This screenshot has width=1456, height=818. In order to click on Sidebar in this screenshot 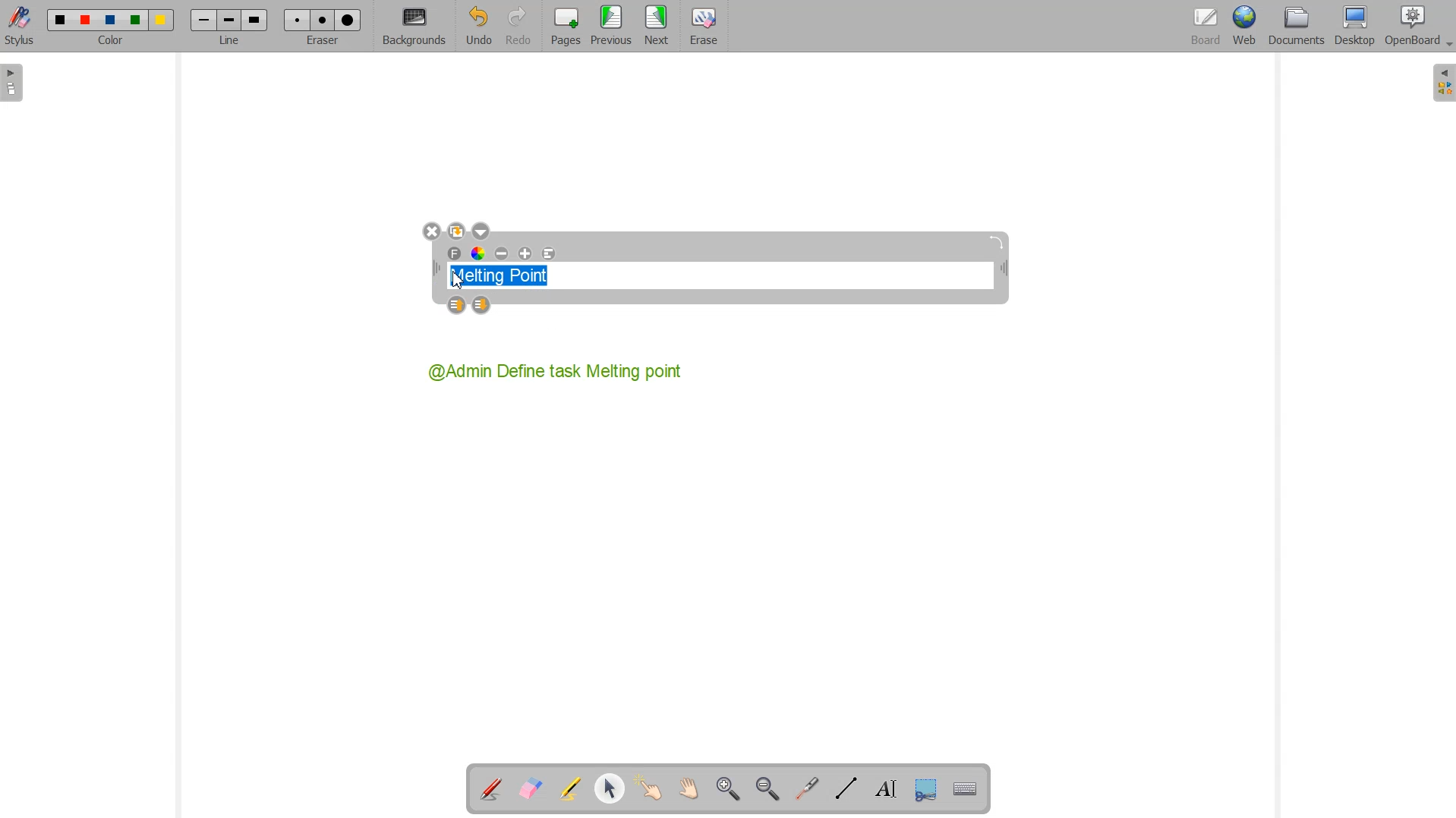, I will do `click(1442, 83)`.